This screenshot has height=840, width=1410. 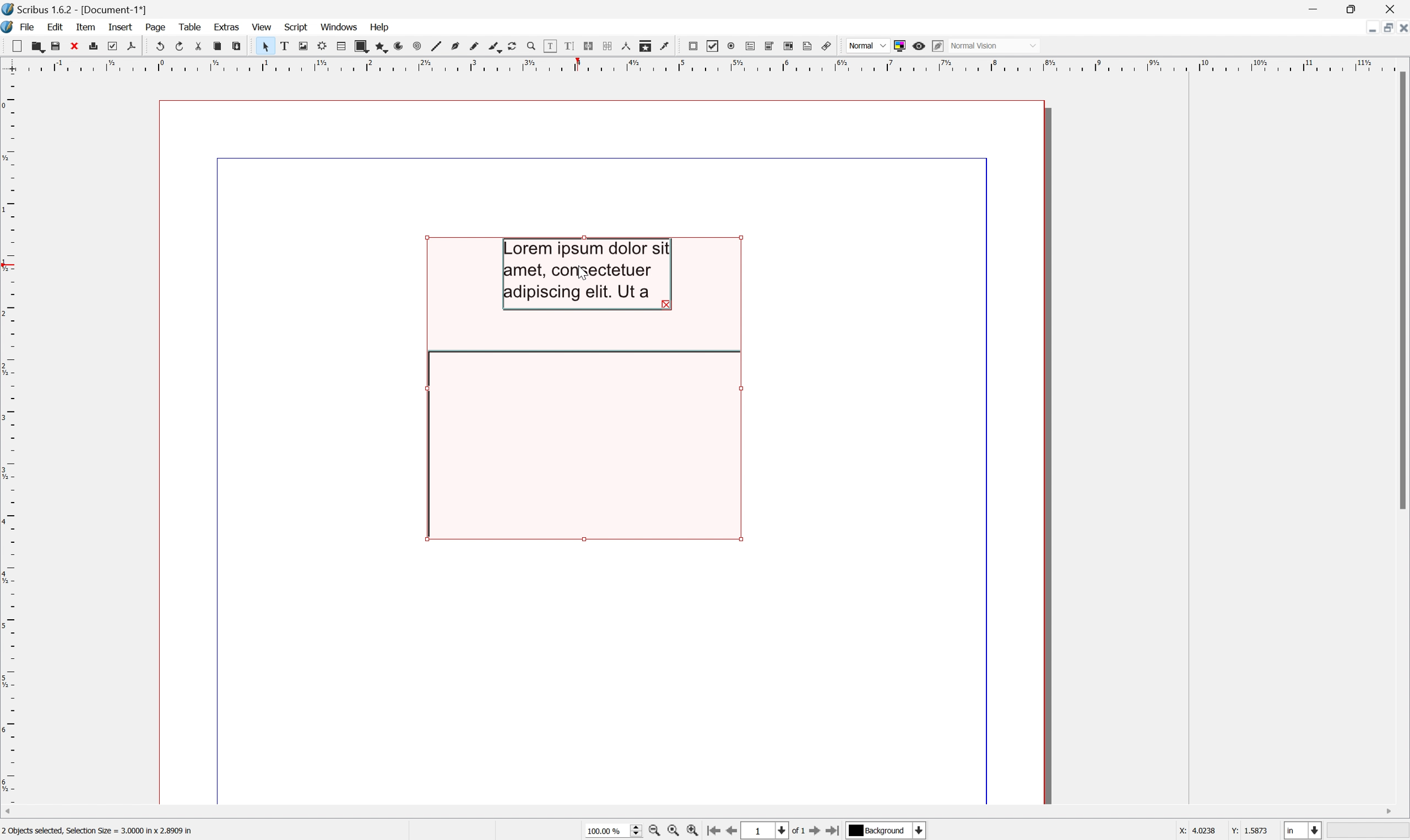 I want to click on Scribus 1.6.2 - [Document-1*], so click(x=72, y=10).